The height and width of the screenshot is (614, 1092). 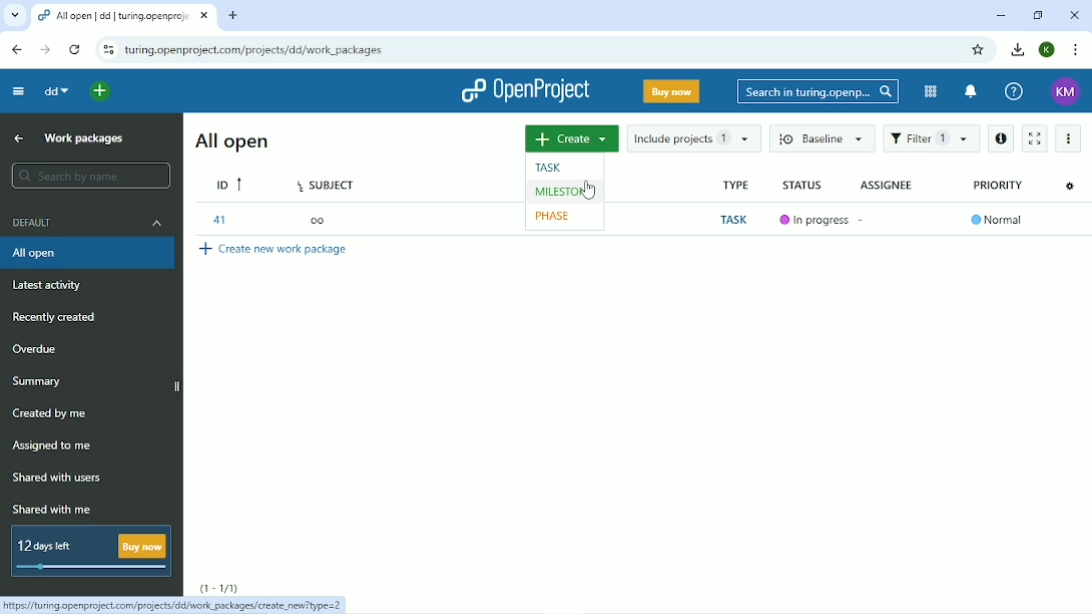 I want to click on Minimize, so click(x=1000, y=17).